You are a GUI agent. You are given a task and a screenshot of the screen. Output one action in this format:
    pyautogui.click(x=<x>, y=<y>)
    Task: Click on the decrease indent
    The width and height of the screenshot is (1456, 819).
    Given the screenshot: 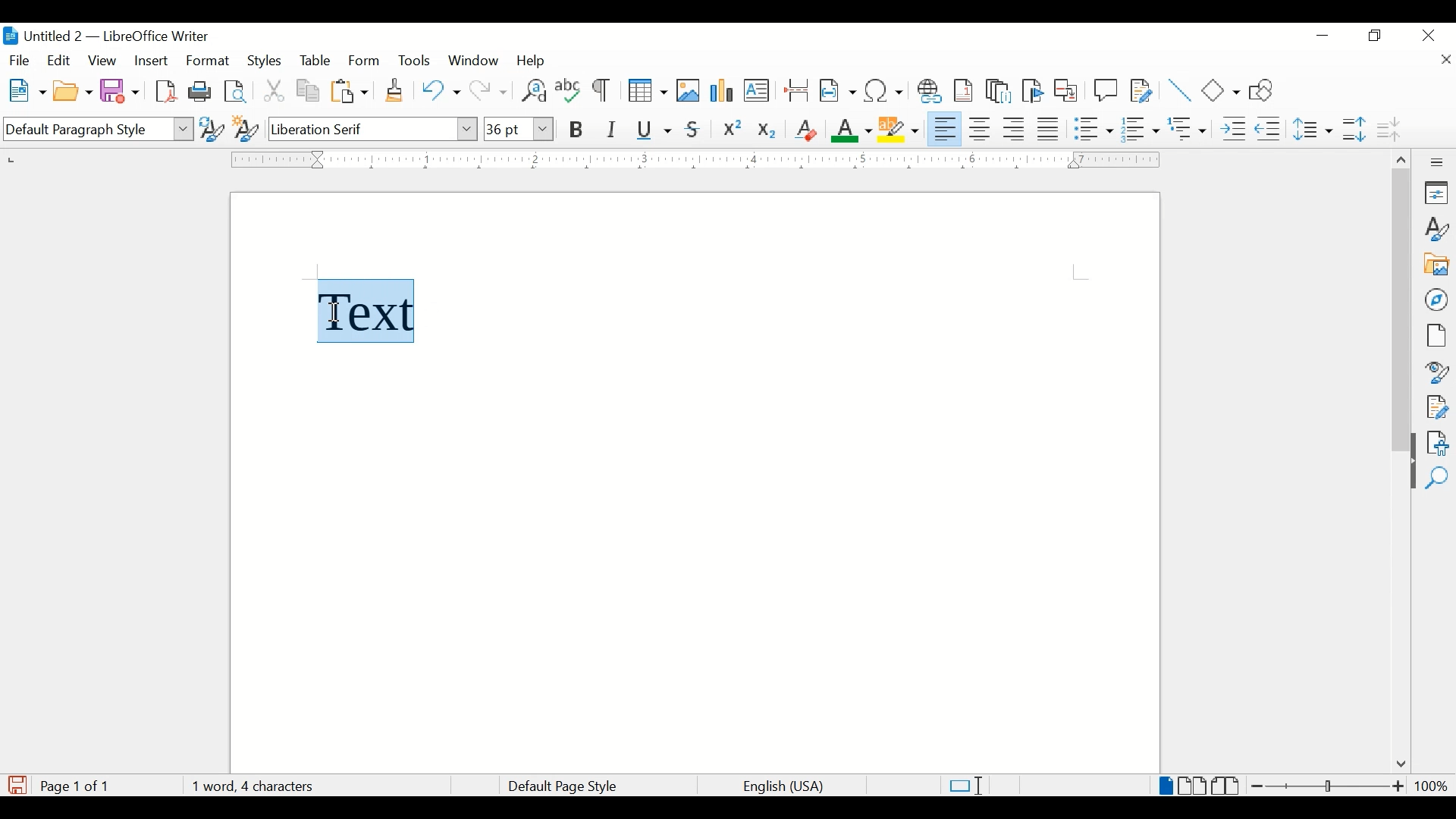 What is the action you would take?
    pyautogui.click(x=1269, y=128)
    